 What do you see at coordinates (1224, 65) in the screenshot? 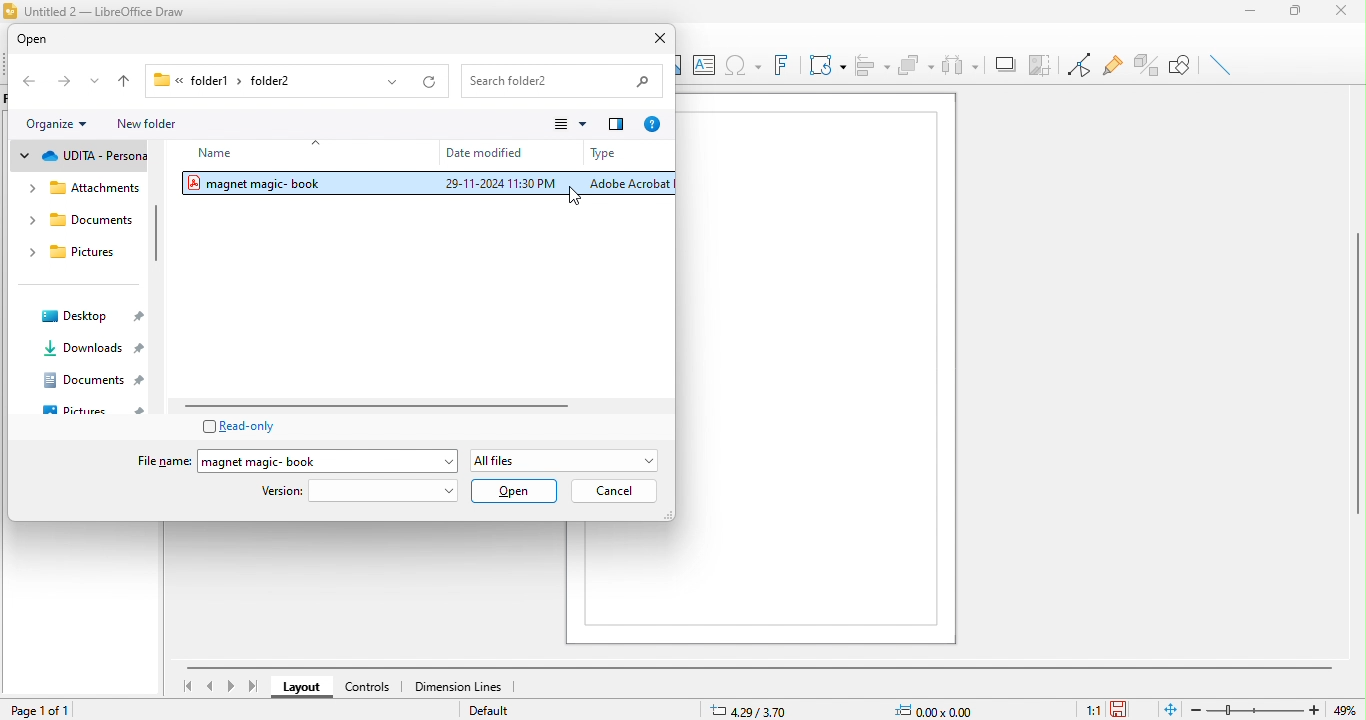
I see `insert line` at bounding box center [1224, 65].